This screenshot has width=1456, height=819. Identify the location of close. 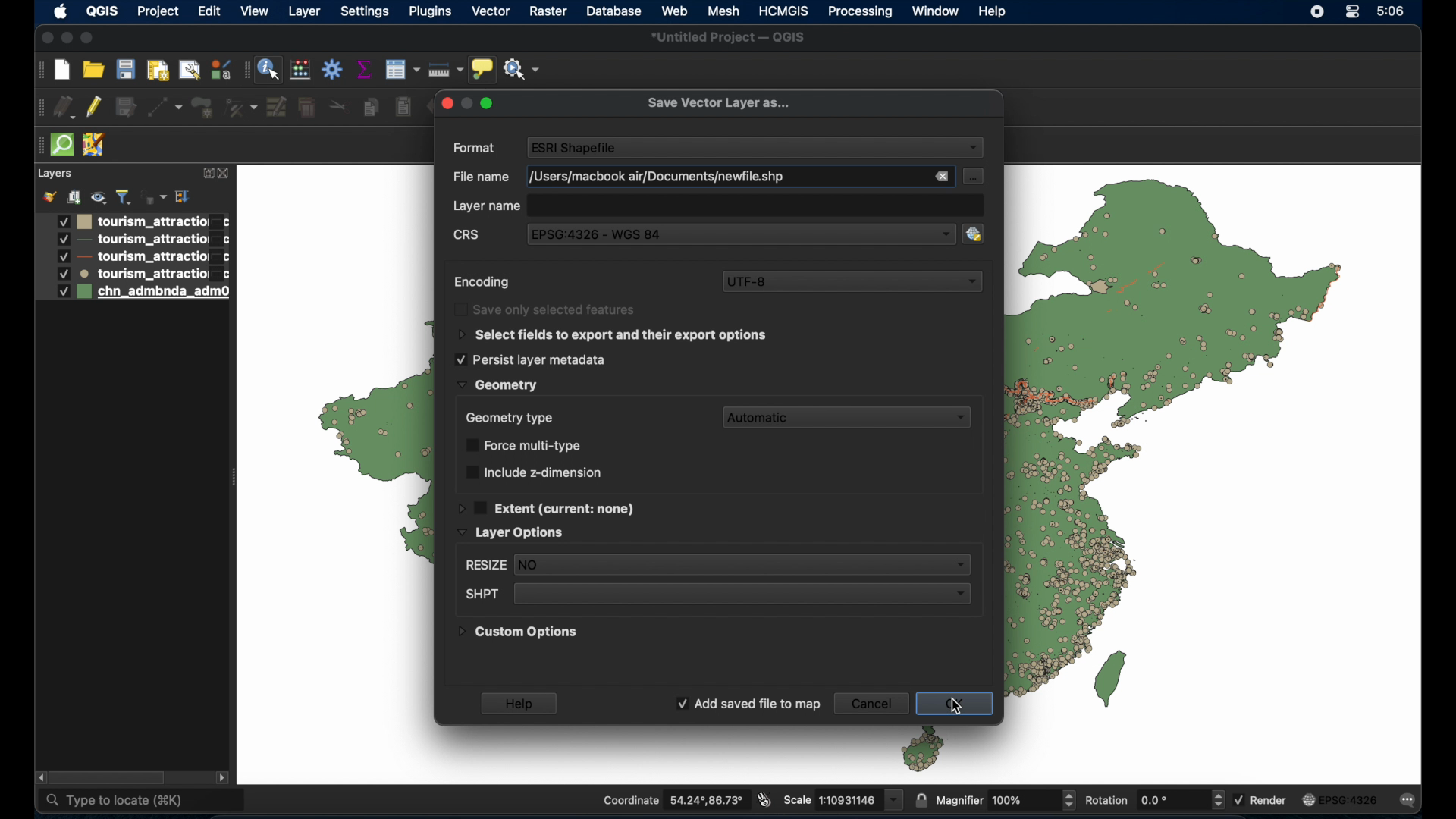
(225, 174).